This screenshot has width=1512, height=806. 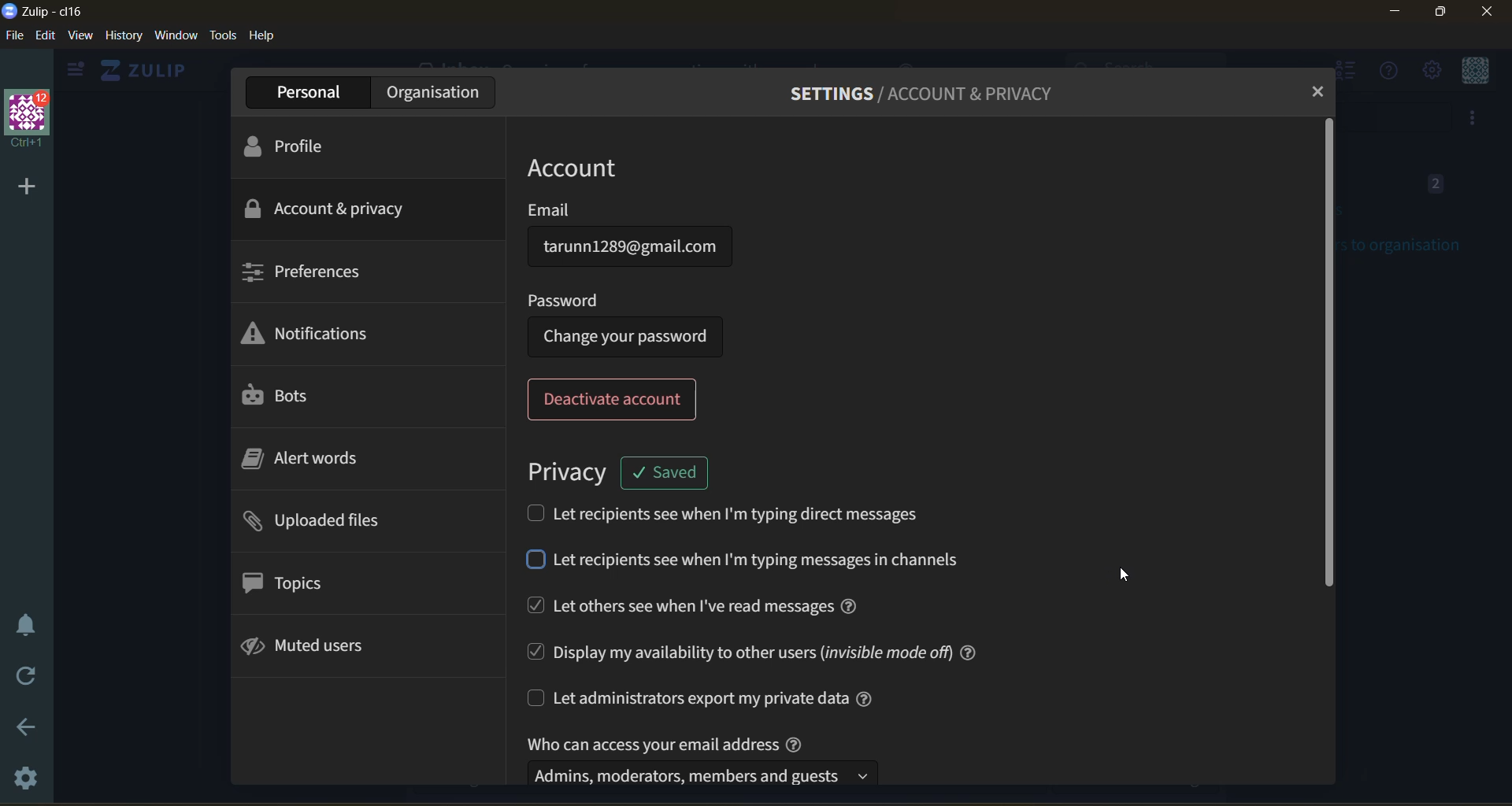 What do you see at coordinates (150, 71) in the screenshot?
I see `ZULIP` at bounding box center [150, 71].